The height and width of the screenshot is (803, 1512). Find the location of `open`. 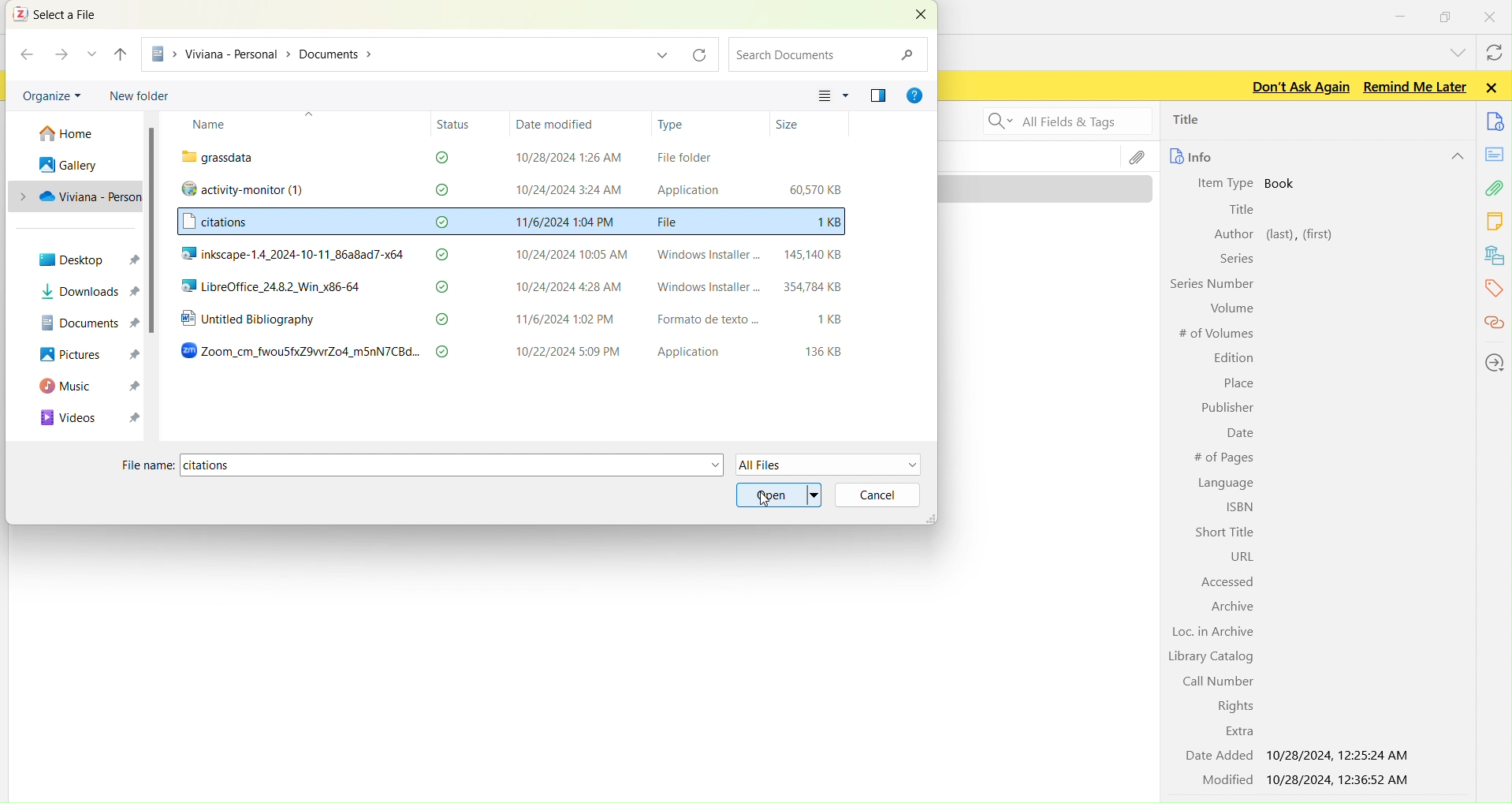

open is located at coordinates (780, 495).